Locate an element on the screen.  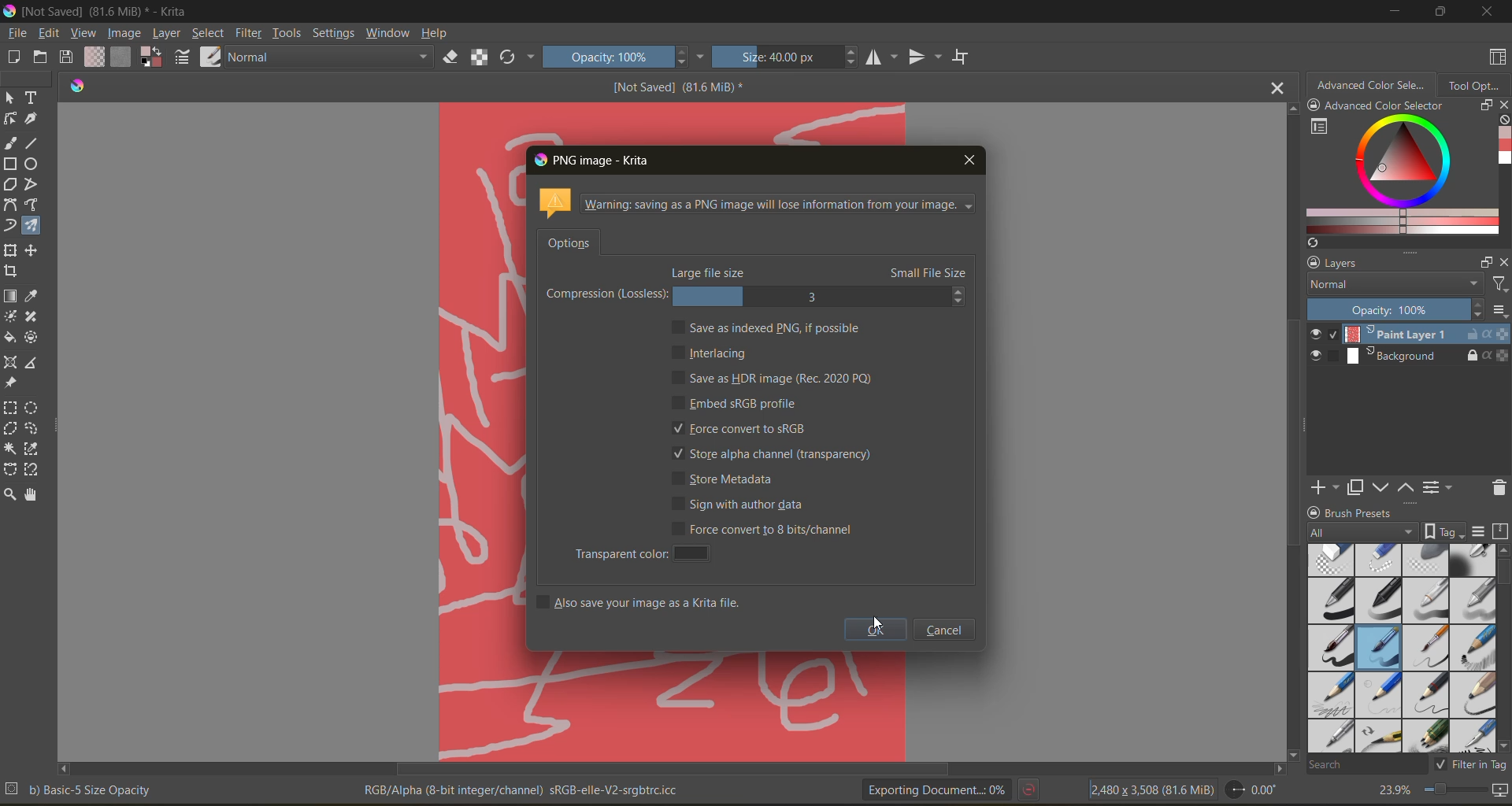
duplicate mask is located at coordinates (1355, 488).